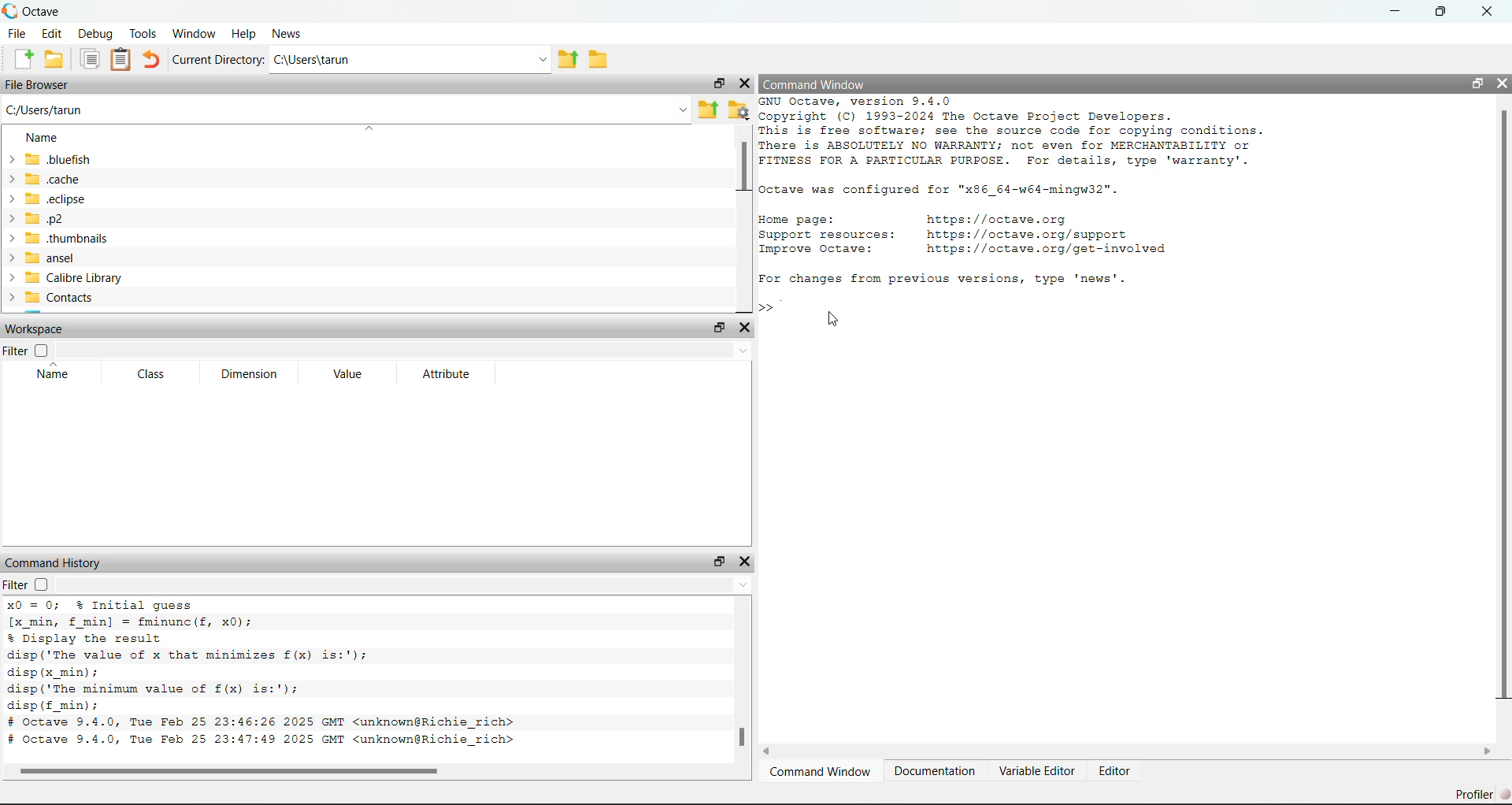  I want to click on > ansel, so click(46, 257).